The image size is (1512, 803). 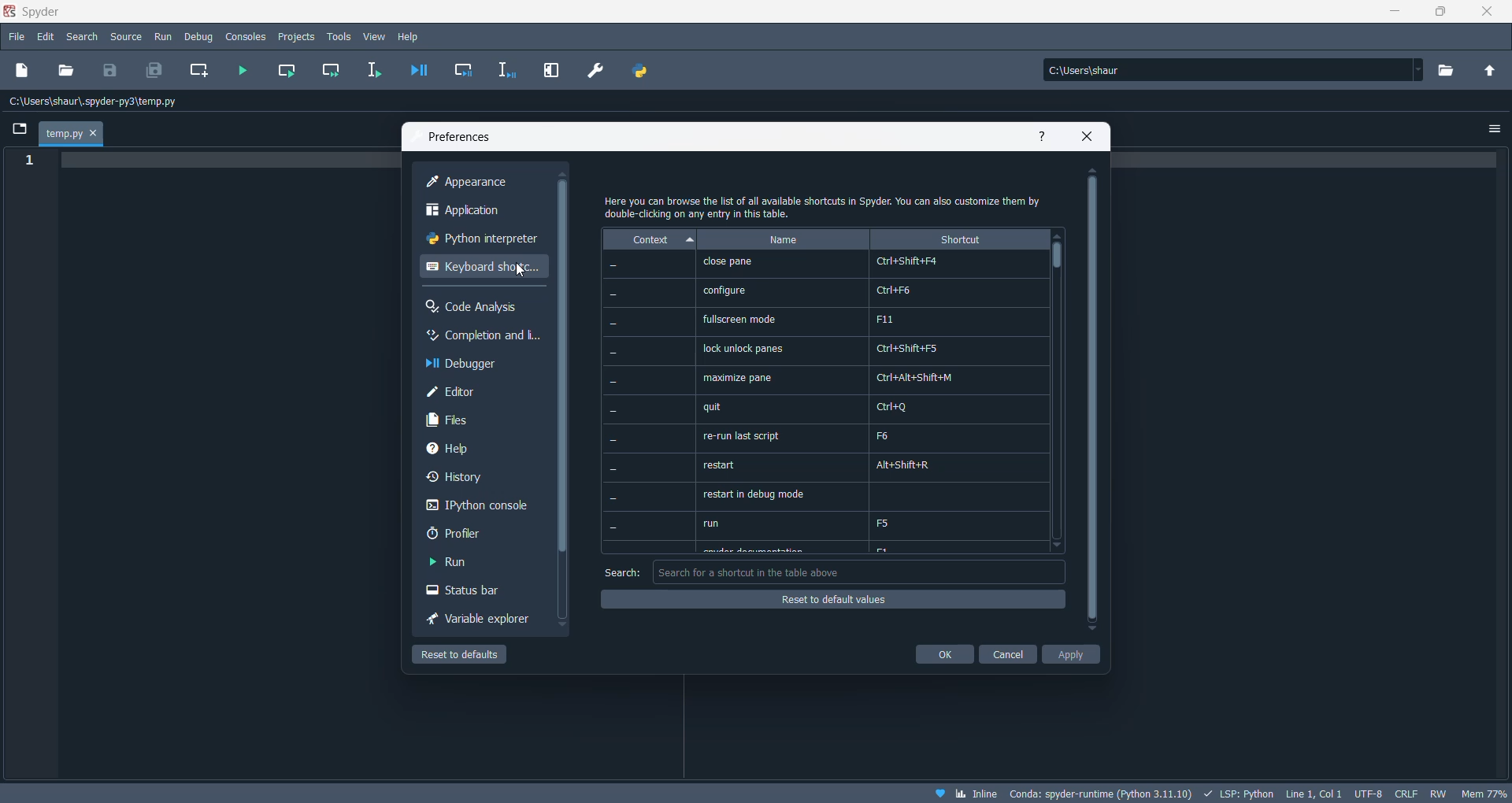 What do you see at coordinates (831, 598) in the screenshot?
I see `reset to default` at bounding box center [831, 598].